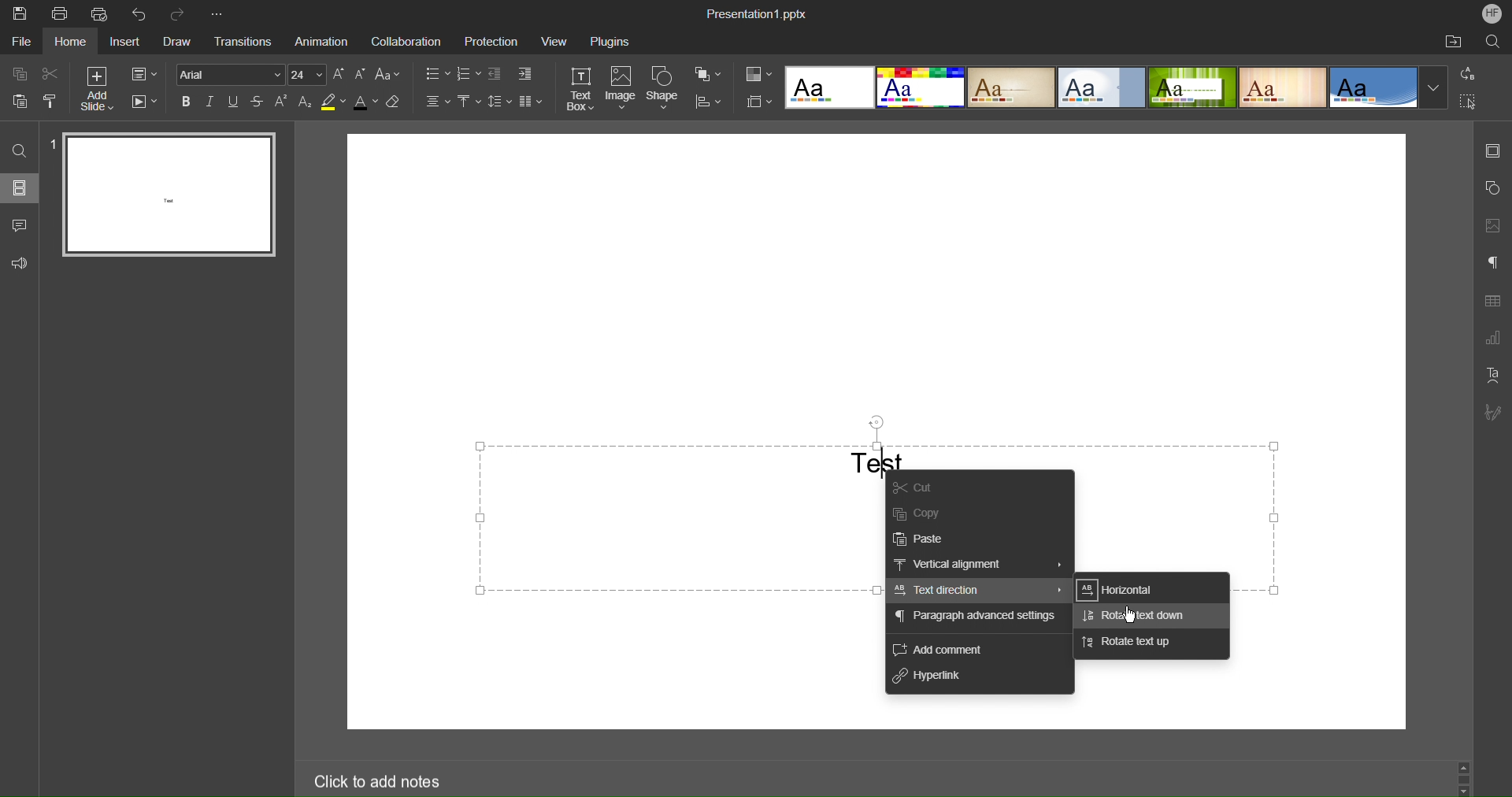 Image resolution: width=1512 pixels, height=797 pixels. What do you see at coordinates (20, 225) in the screenshot?
I see `Comment` at bounding box center [20, 225].